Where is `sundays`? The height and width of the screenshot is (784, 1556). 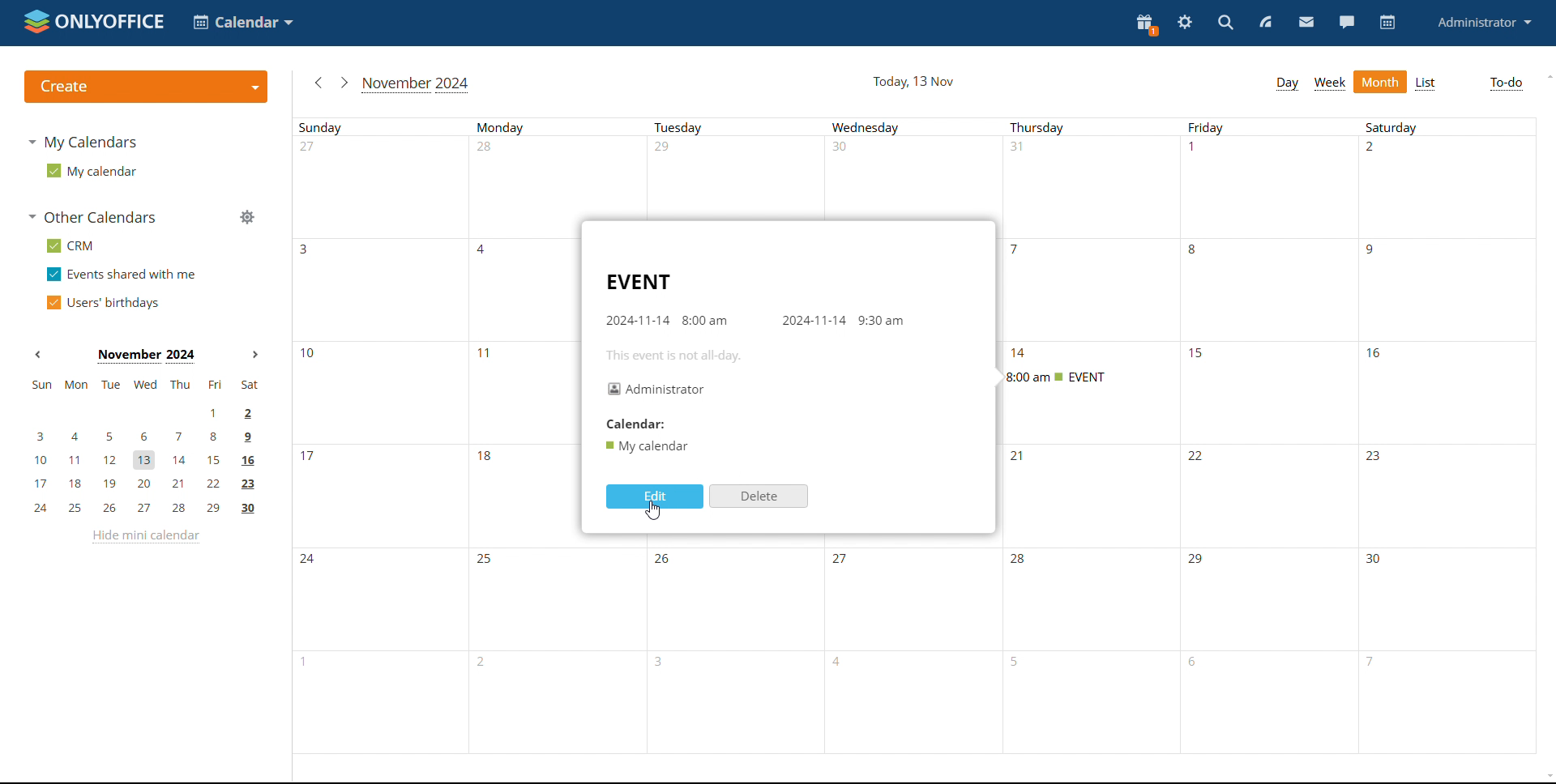 sundays is located at coordinates (917, 126).